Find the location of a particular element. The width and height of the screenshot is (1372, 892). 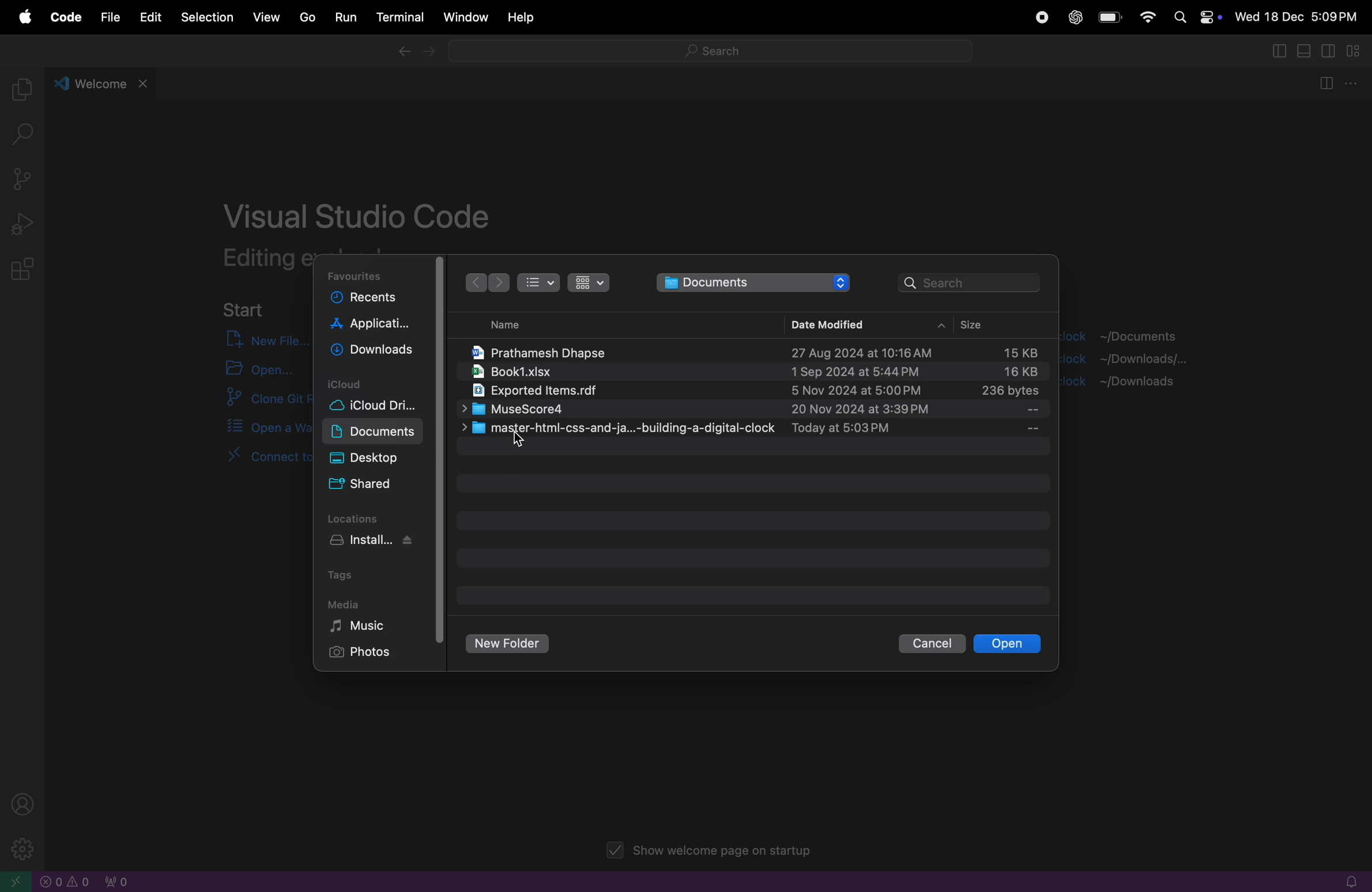

shared is located at coordinates (364, 485).